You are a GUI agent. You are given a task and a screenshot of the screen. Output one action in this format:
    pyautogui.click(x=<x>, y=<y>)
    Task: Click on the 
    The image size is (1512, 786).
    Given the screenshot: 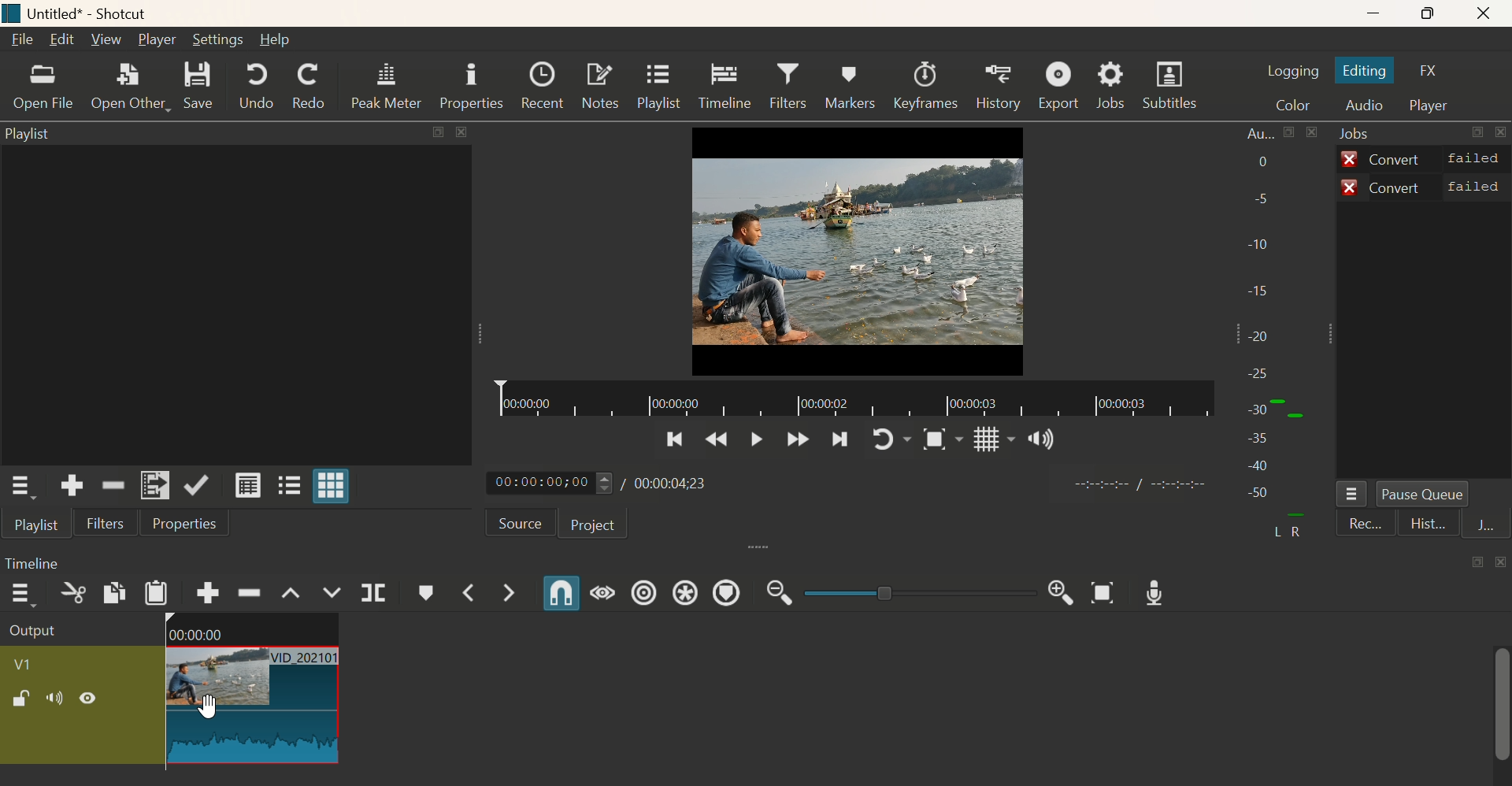 What is the action you would take?
    pyautogui.click(x=278, y=39)
    